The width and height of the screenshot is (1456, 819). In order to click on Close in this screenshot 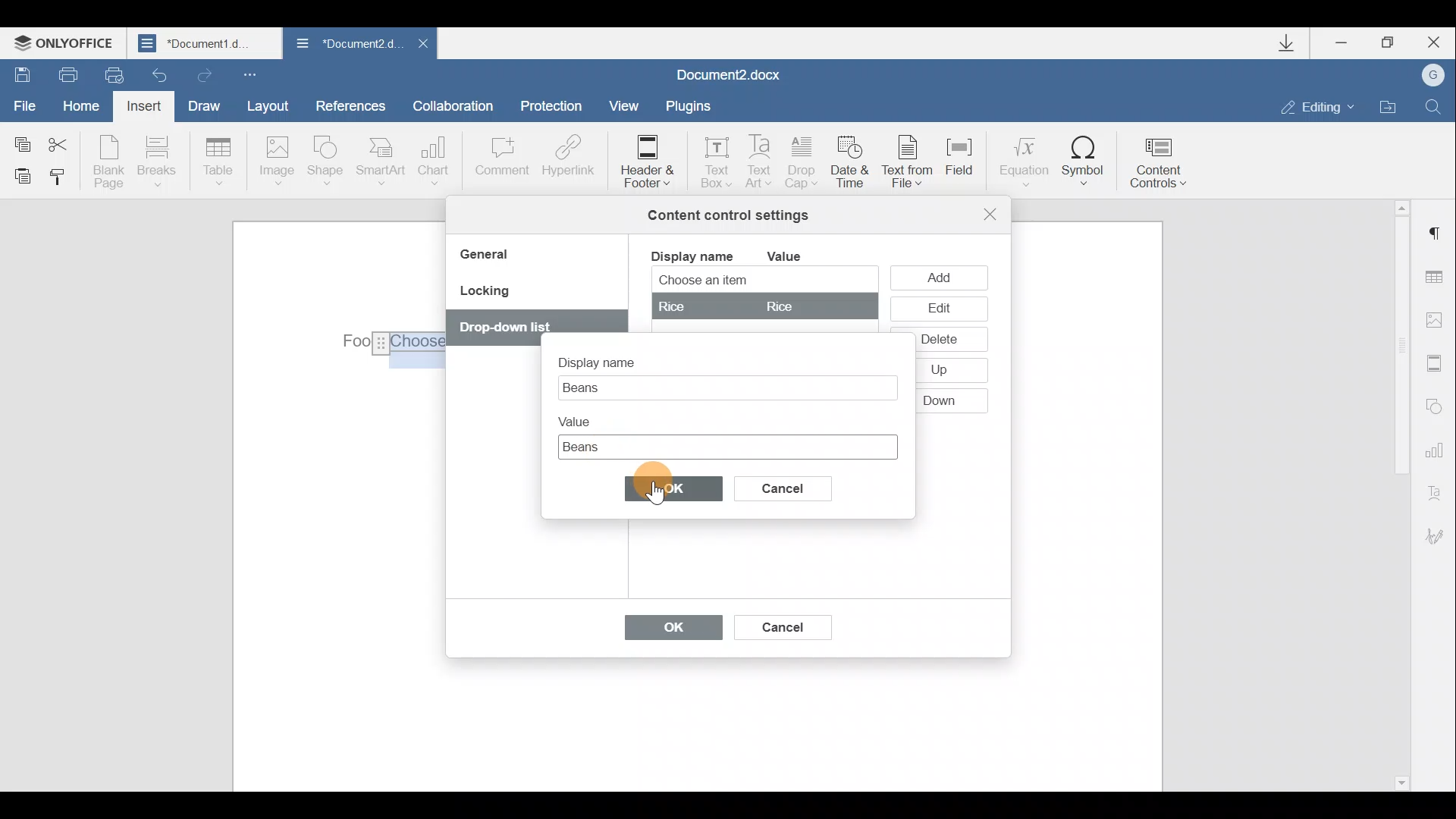, I will do `click(422, 48)`.